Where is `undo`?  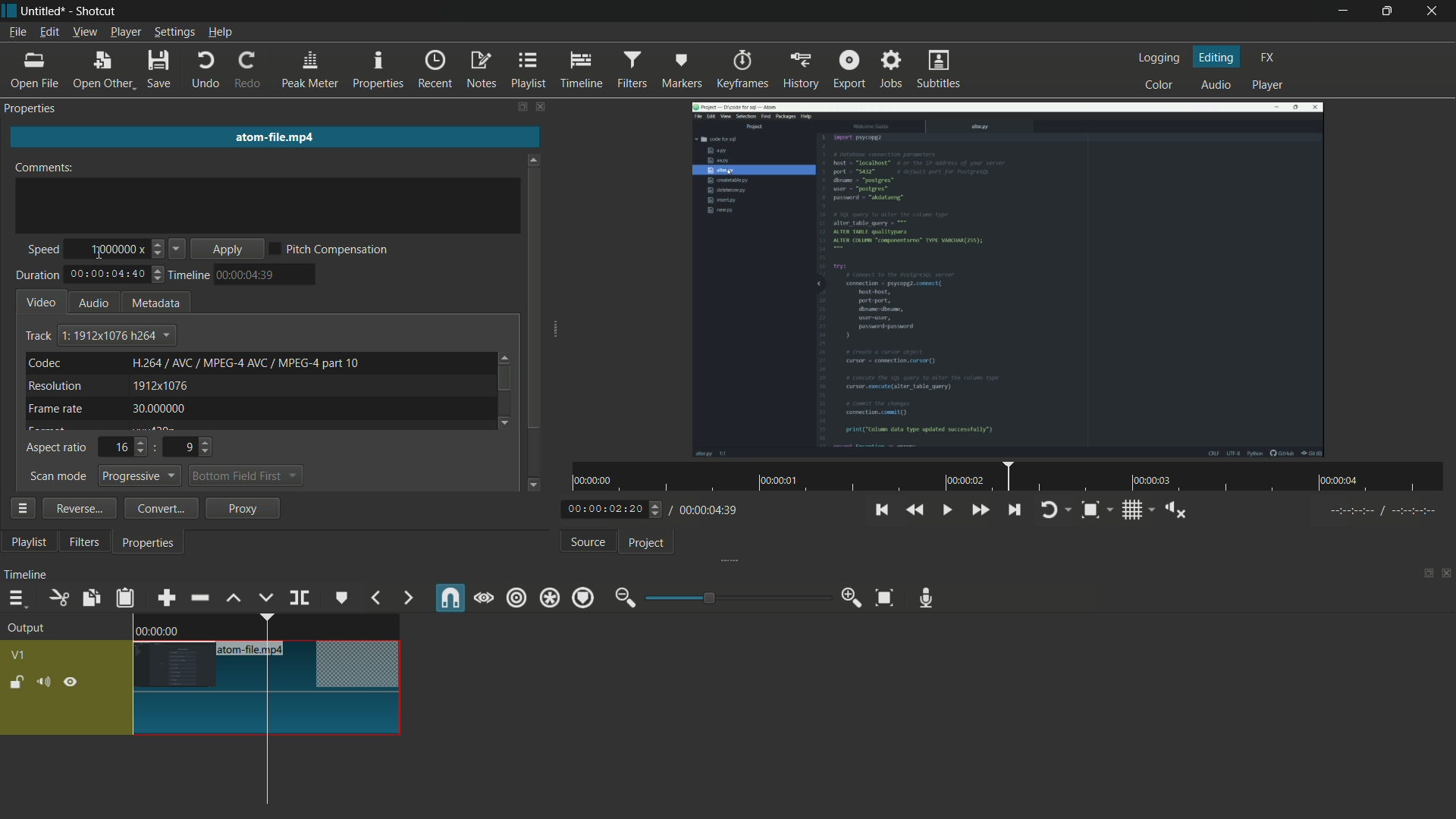 undo is located at coordinates (206, 71).